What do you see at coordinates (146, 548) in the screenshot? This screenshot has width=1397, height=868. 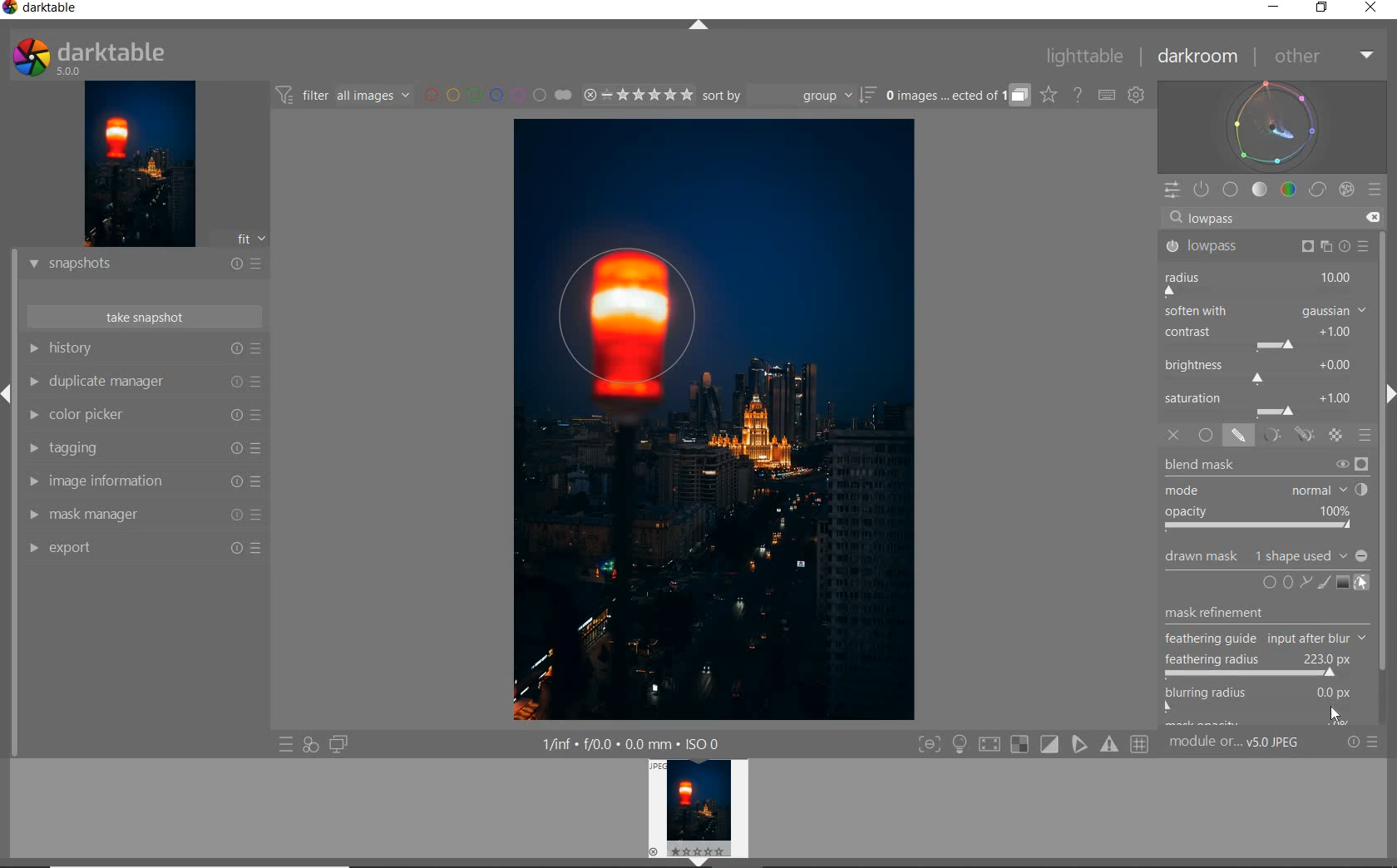 I see `EXPORT` at bounding box center [146, 548].